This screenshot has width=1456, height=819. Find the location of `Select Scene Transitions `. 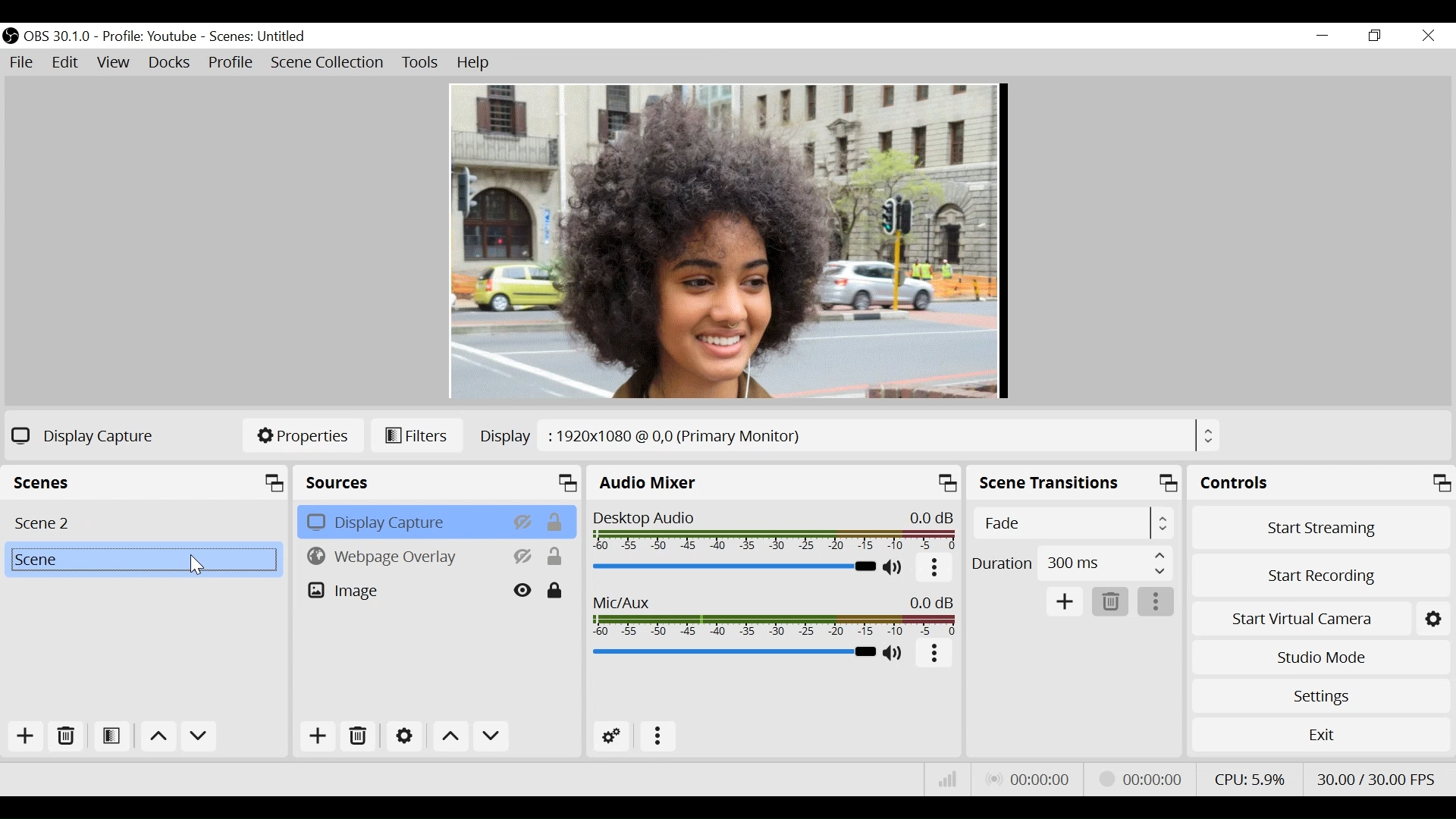

Select Scene Transitions  is located at coordinates (1072, 522).